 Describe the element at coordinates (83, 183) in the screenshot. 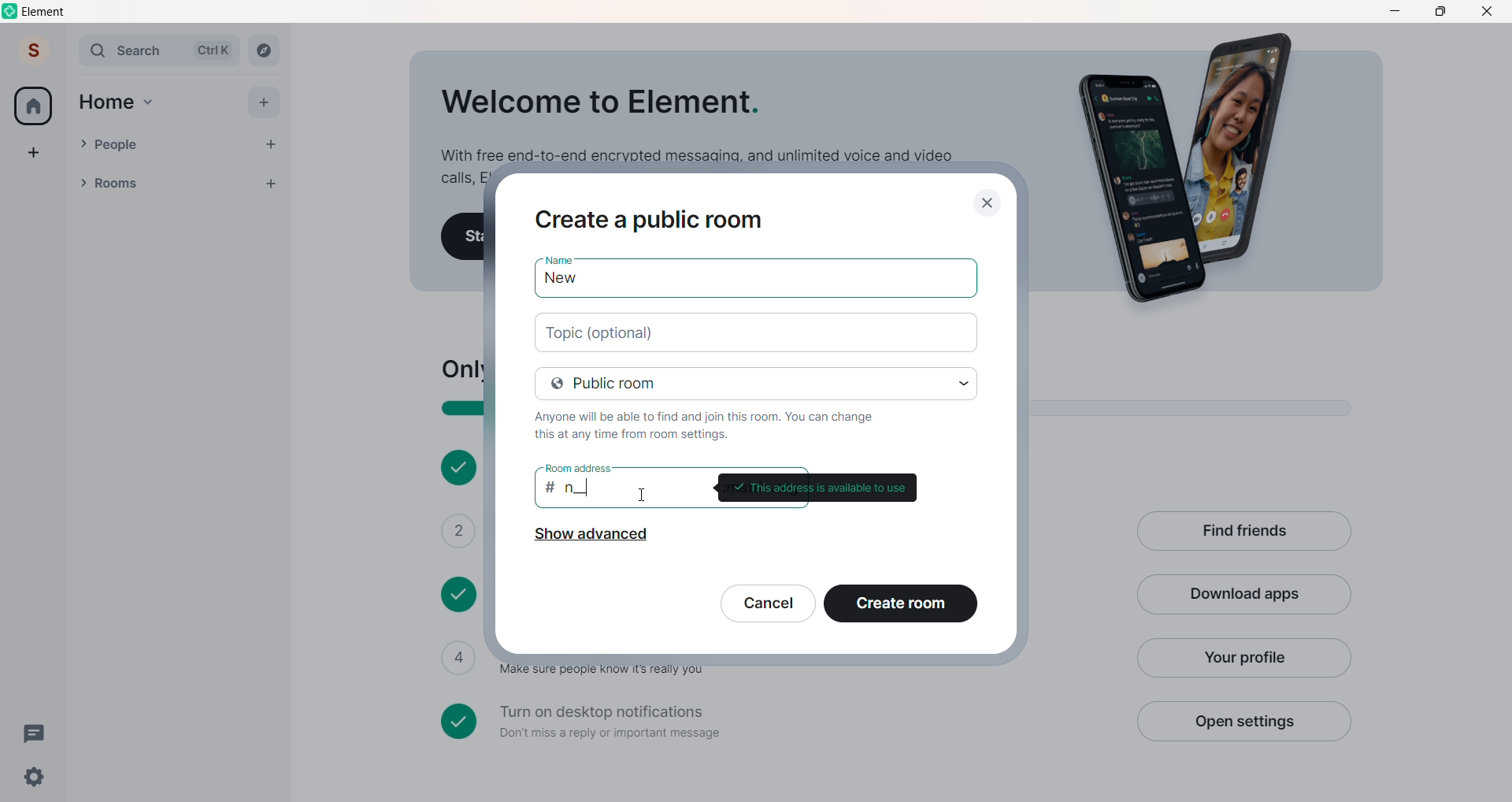

I see `Room Drop Down` at that location.